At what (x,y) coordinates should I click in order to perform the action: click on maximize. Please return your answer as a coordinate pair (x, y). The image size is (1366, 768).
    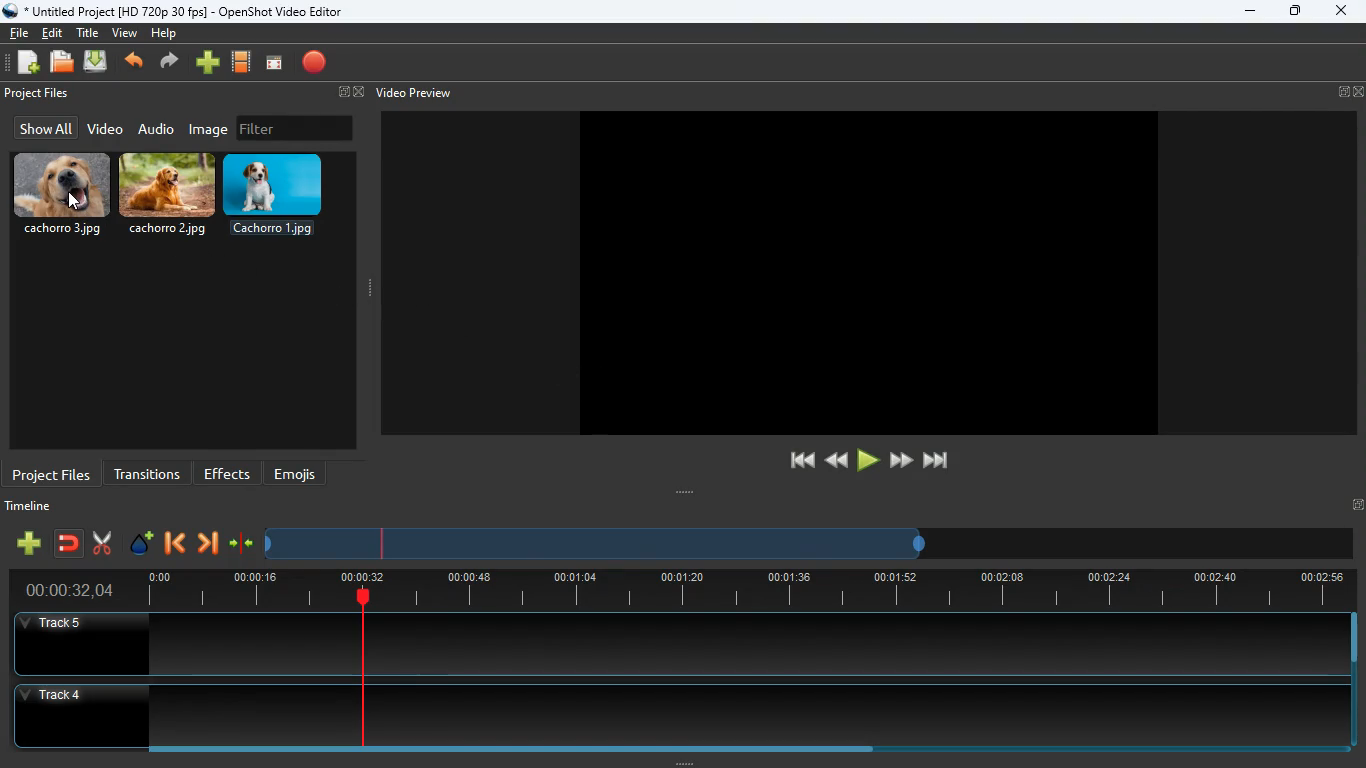
    Looking at the image, I should click on (1296, 13).